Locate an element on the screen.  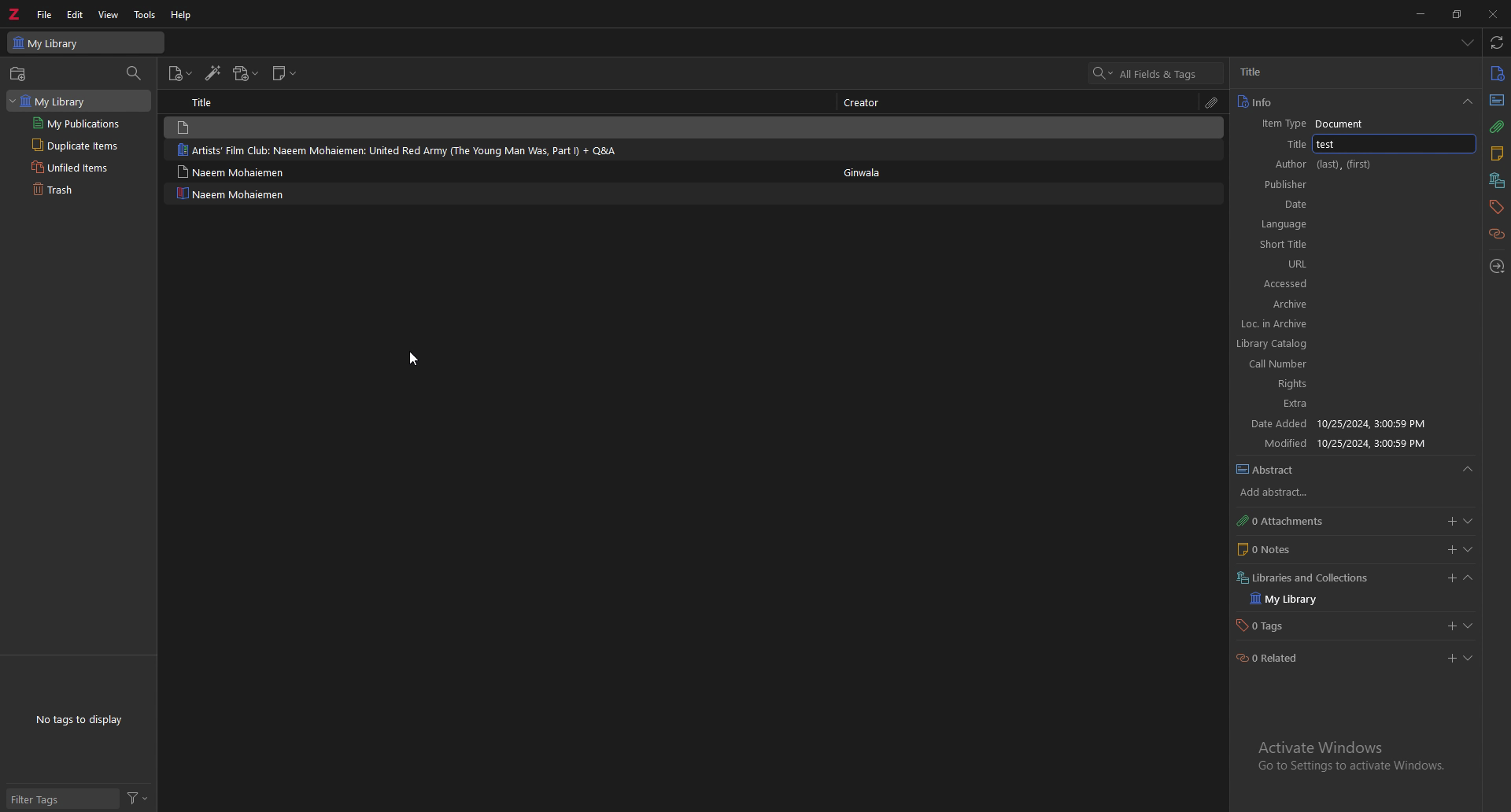
item is located at coordinates (496, 150).